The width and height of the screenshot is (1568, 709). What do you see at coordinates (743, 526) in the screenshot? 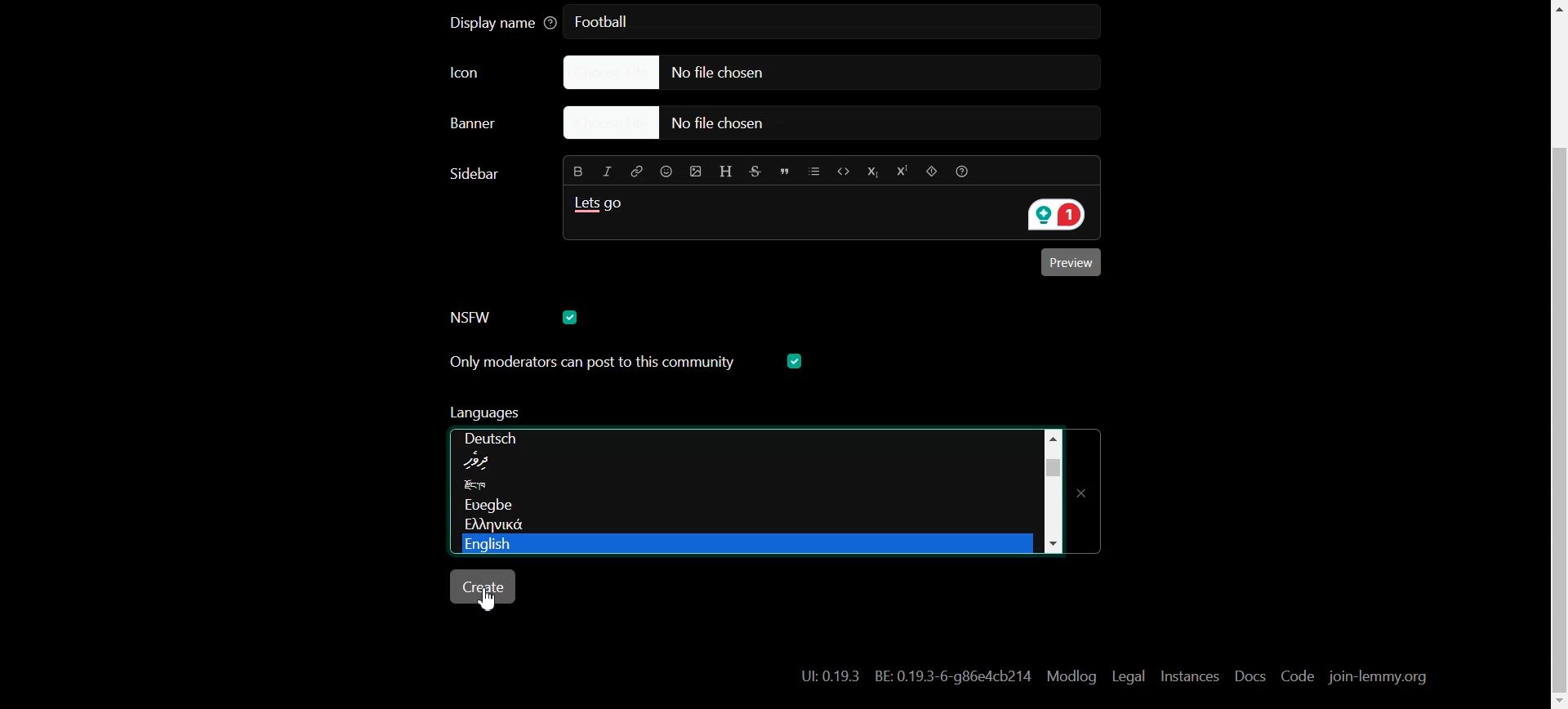
I see `Language` at bounding box center [743, 526].